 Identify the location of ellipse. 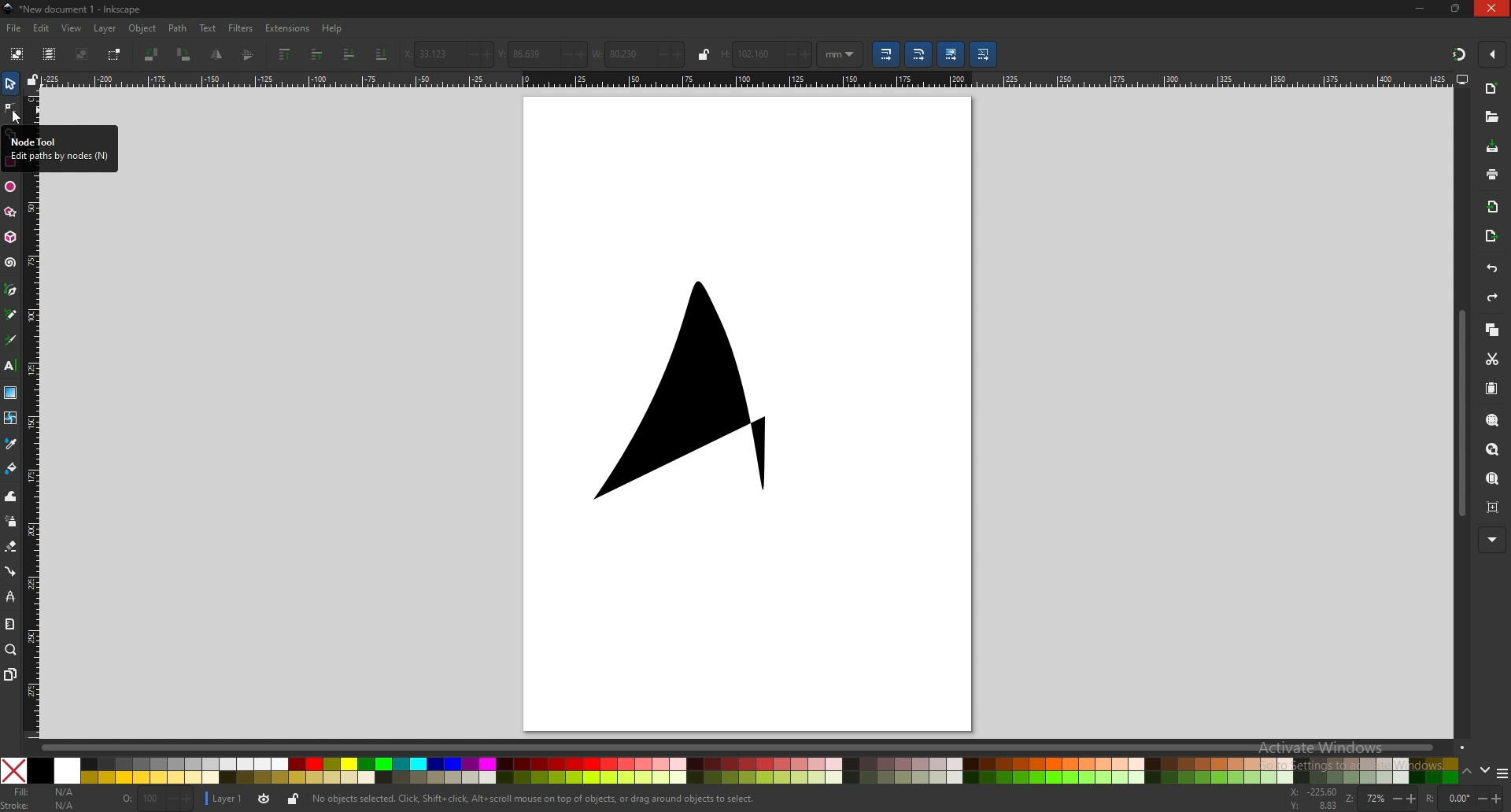
(11, 185).